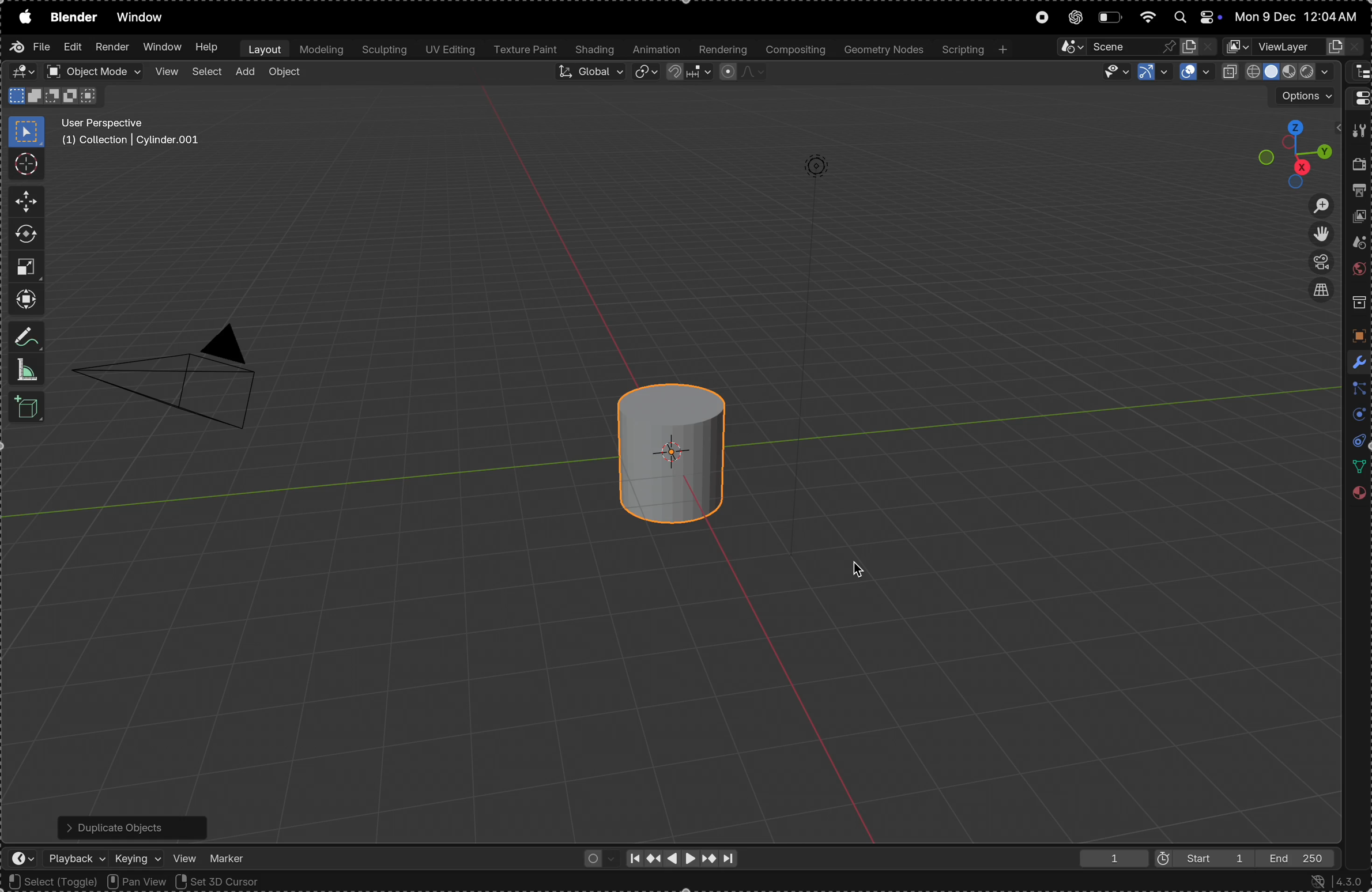 This screenshot has width=1372, height=892. Describe the element at coordinates (1109, 858) in the screenshot. I see `1` at that location.